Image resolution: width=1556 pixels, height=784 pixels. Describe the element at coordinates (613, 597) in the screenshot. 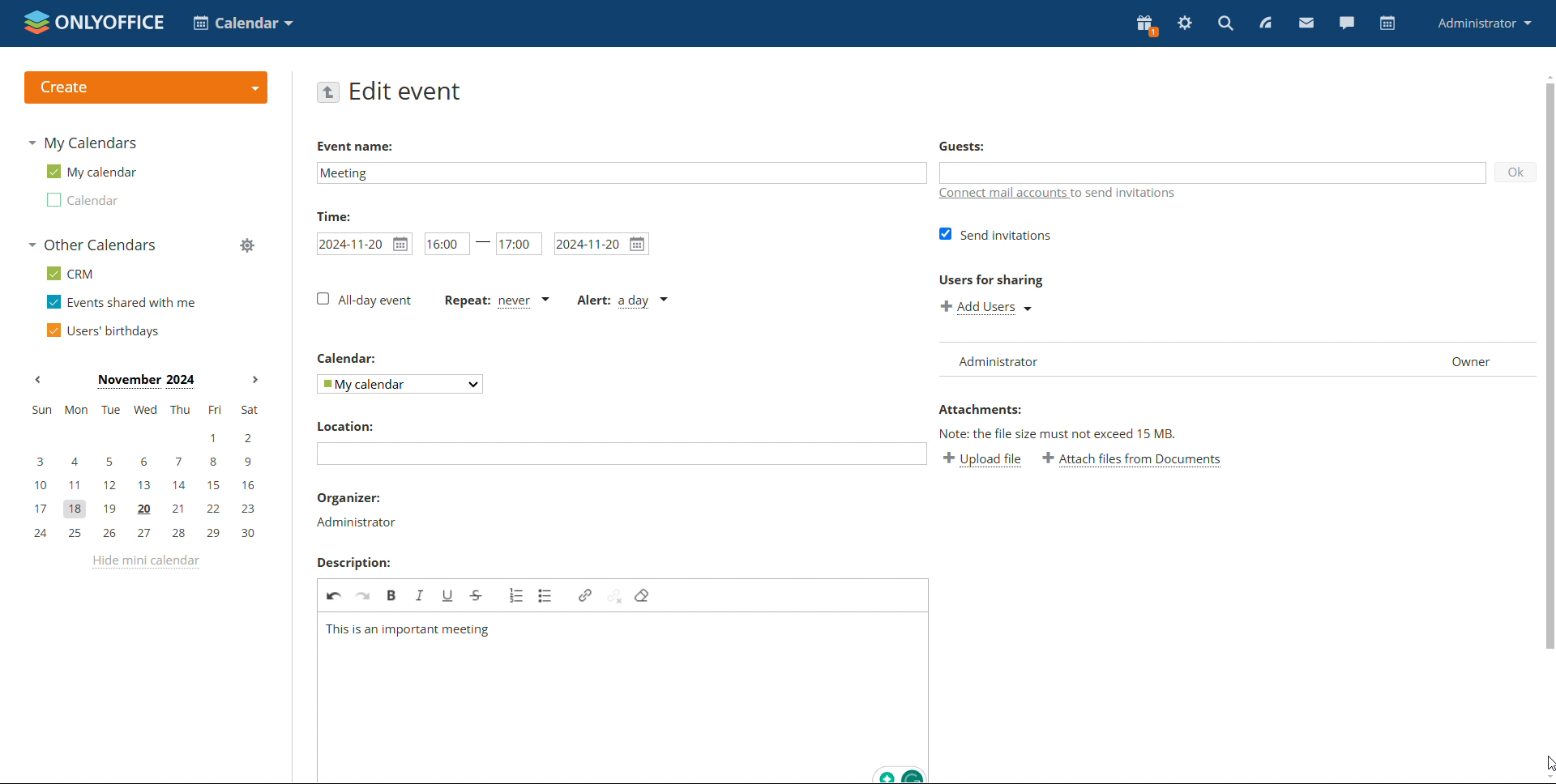

I see `unlink` at that location.